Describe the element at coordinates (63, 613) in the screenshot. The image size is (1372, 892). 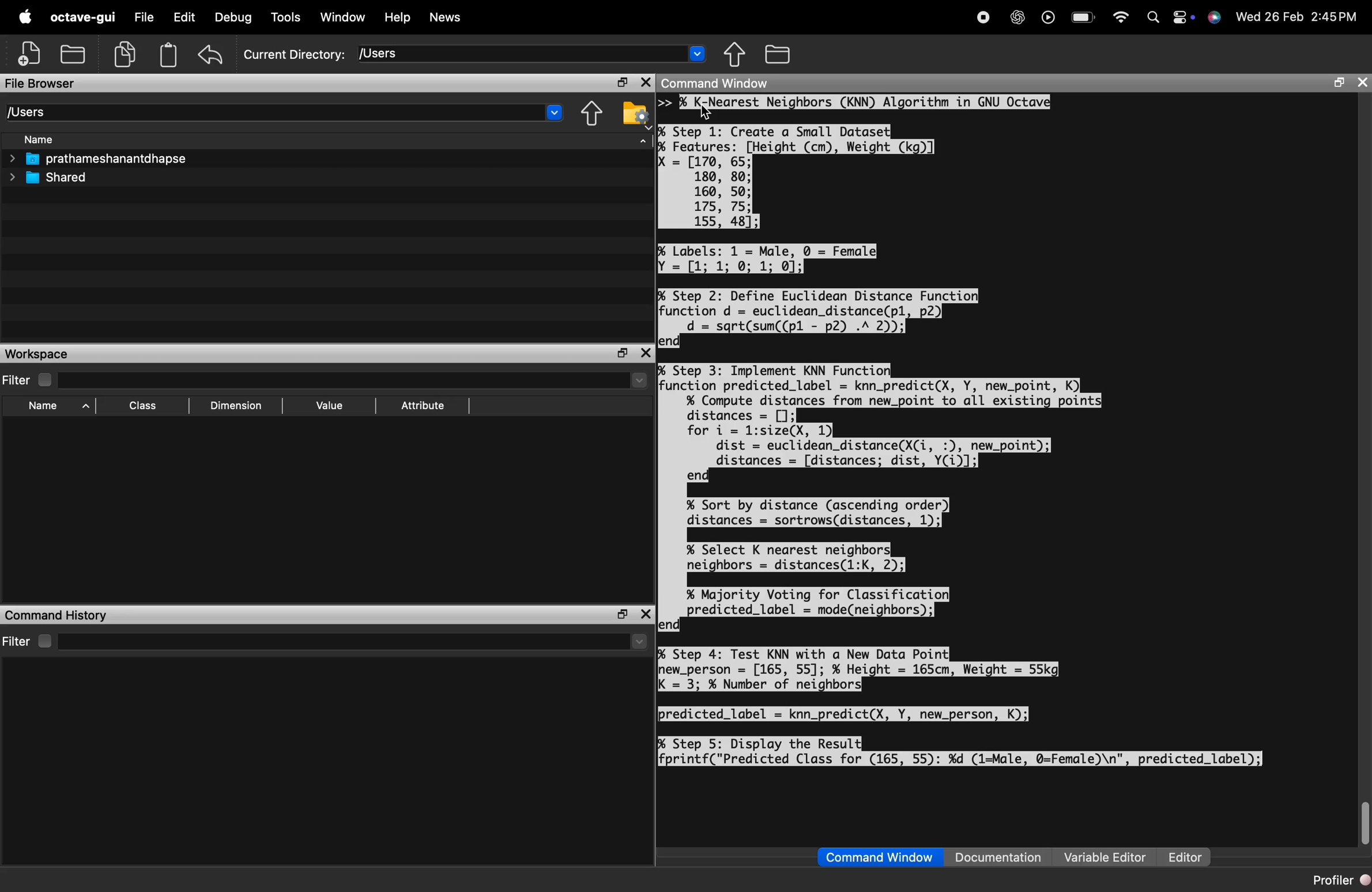
I see `I
Command History` at that location.